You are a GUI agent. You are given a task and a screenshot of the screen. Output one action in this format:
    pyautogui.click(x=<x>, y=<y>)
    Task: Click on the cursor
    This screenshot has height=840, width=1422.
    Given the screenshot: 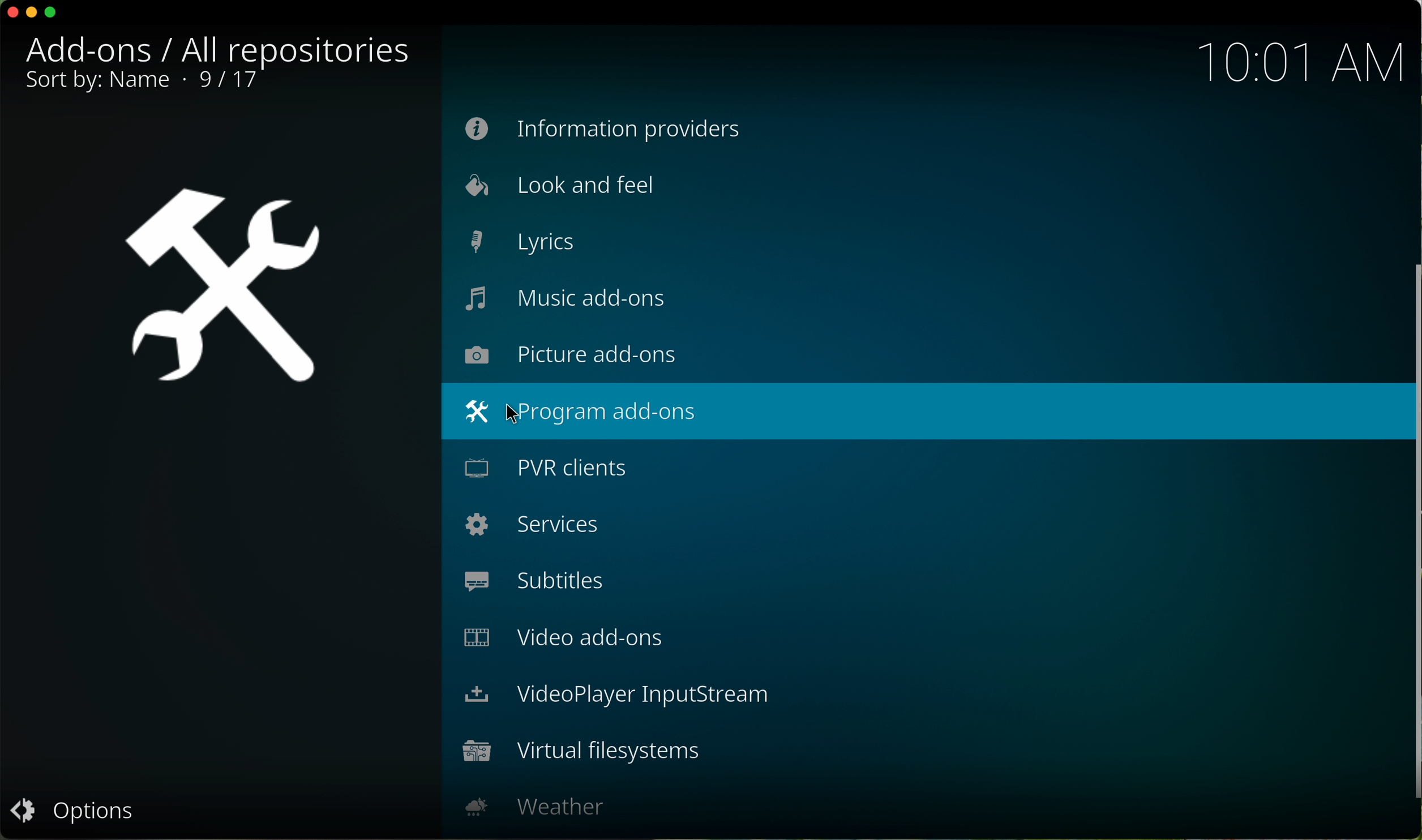 What is the action you would take?
    pyautogui.click(x=519, y=412)
    